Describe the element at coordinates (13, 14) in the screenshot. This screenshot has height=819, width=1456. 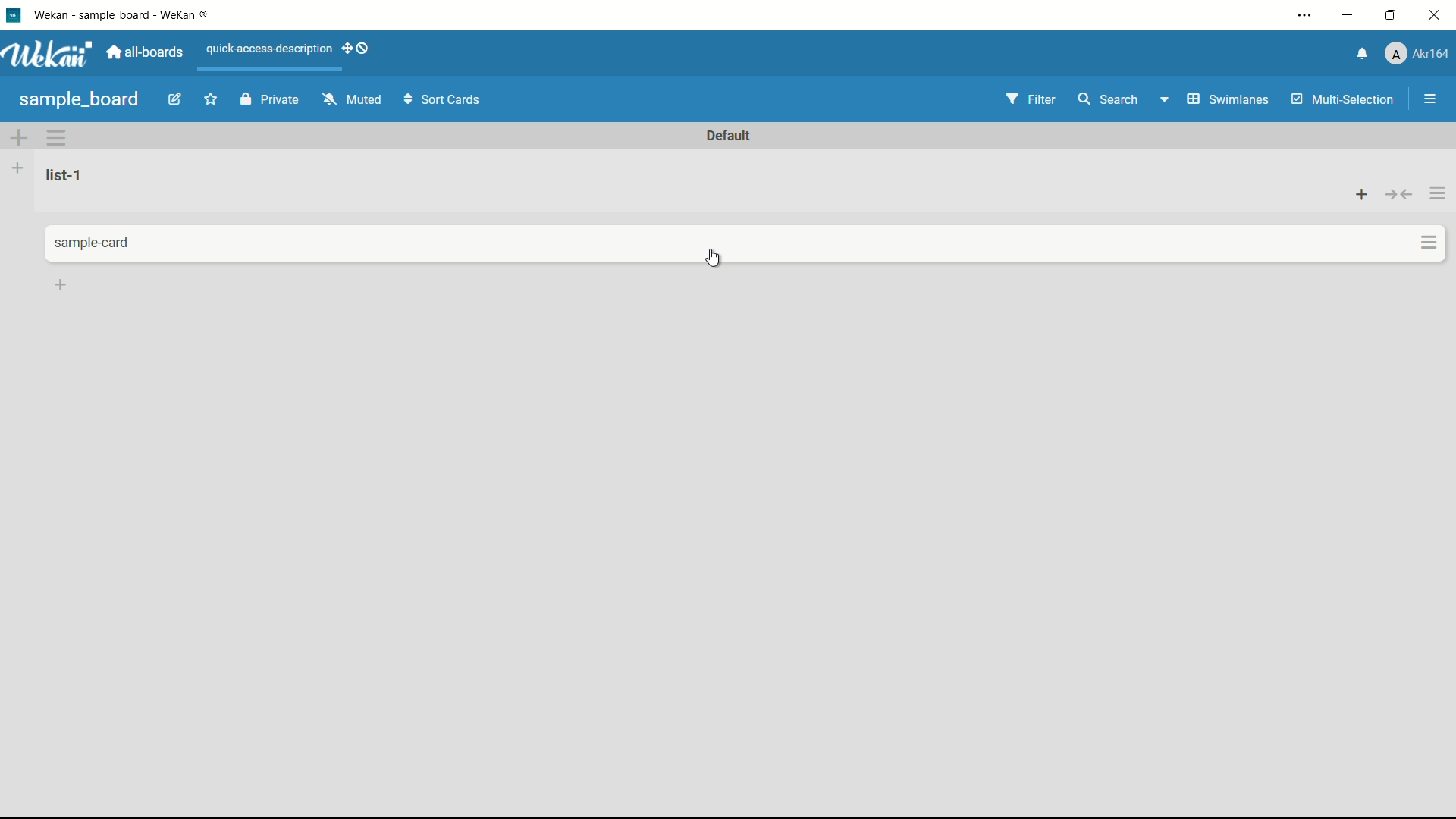
I see `app icon` at that location.